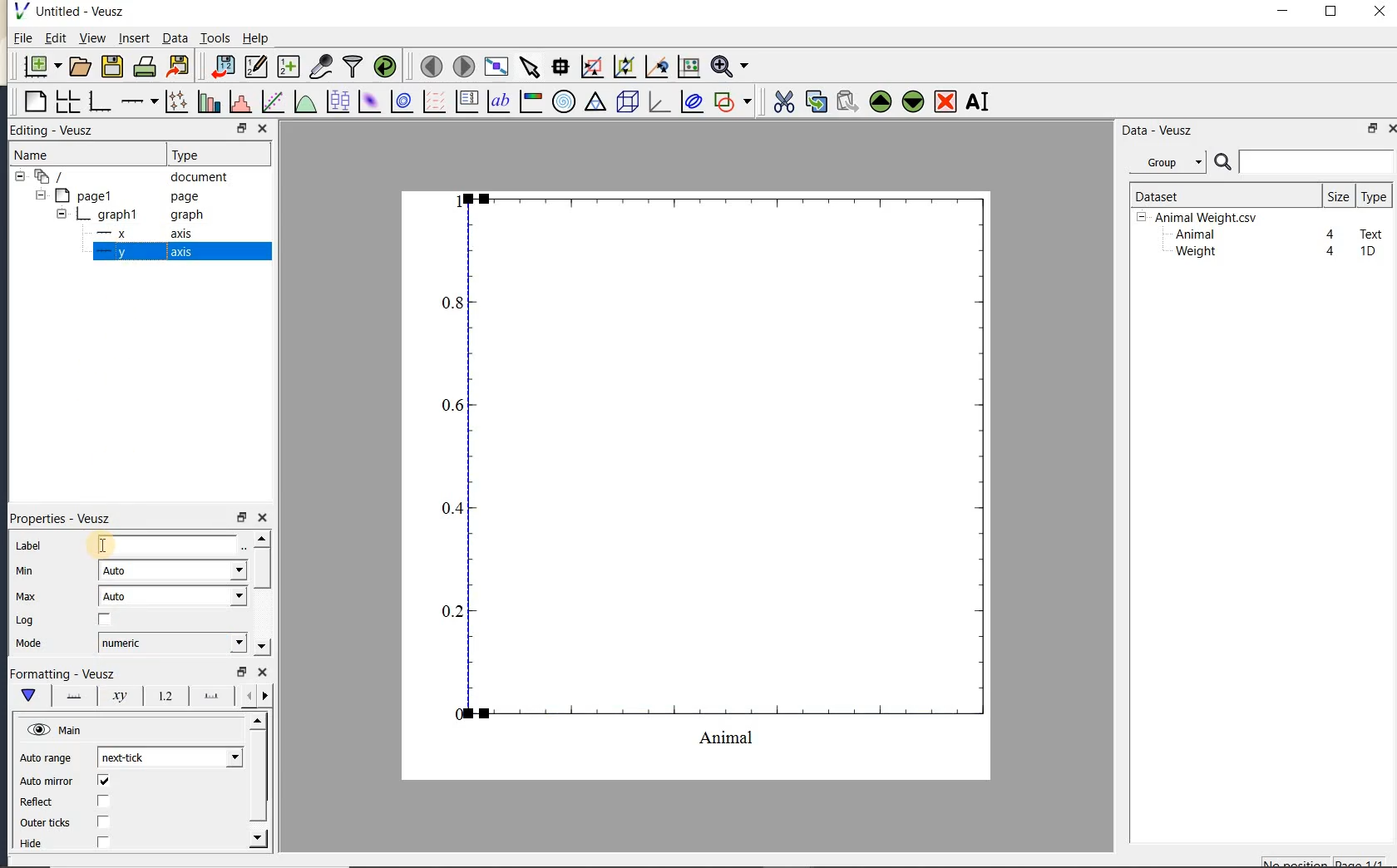 The image size is (1397, 868). What do you see at coordinates (689, 67) in the screenshot?
I see `click to reset graph axes` at bounding box center [689, 67].